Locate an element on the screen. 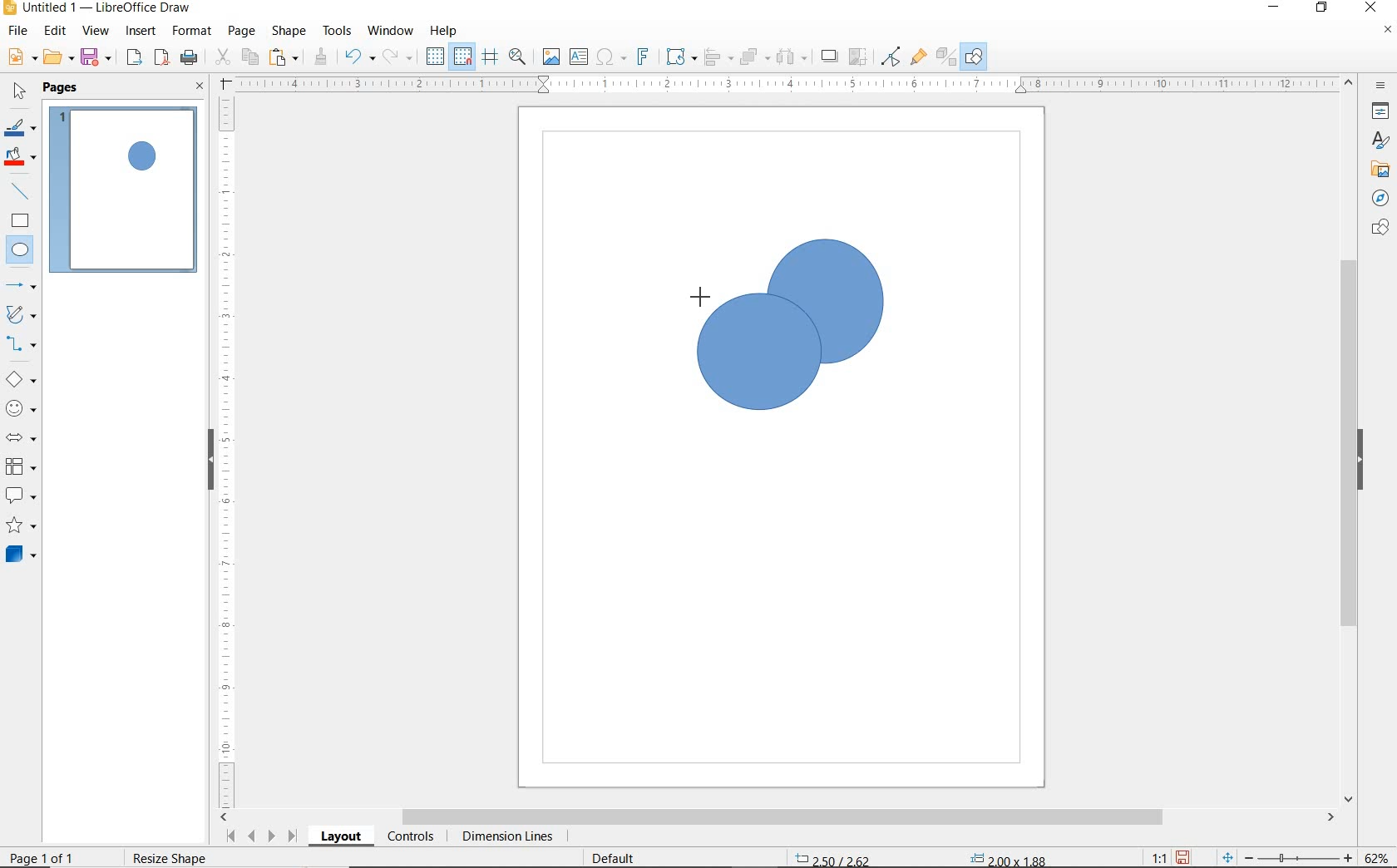 Image resolution: width=1397 pixels, height=868 pixels. PROPERTIES is located at coordinates (1383, 114).